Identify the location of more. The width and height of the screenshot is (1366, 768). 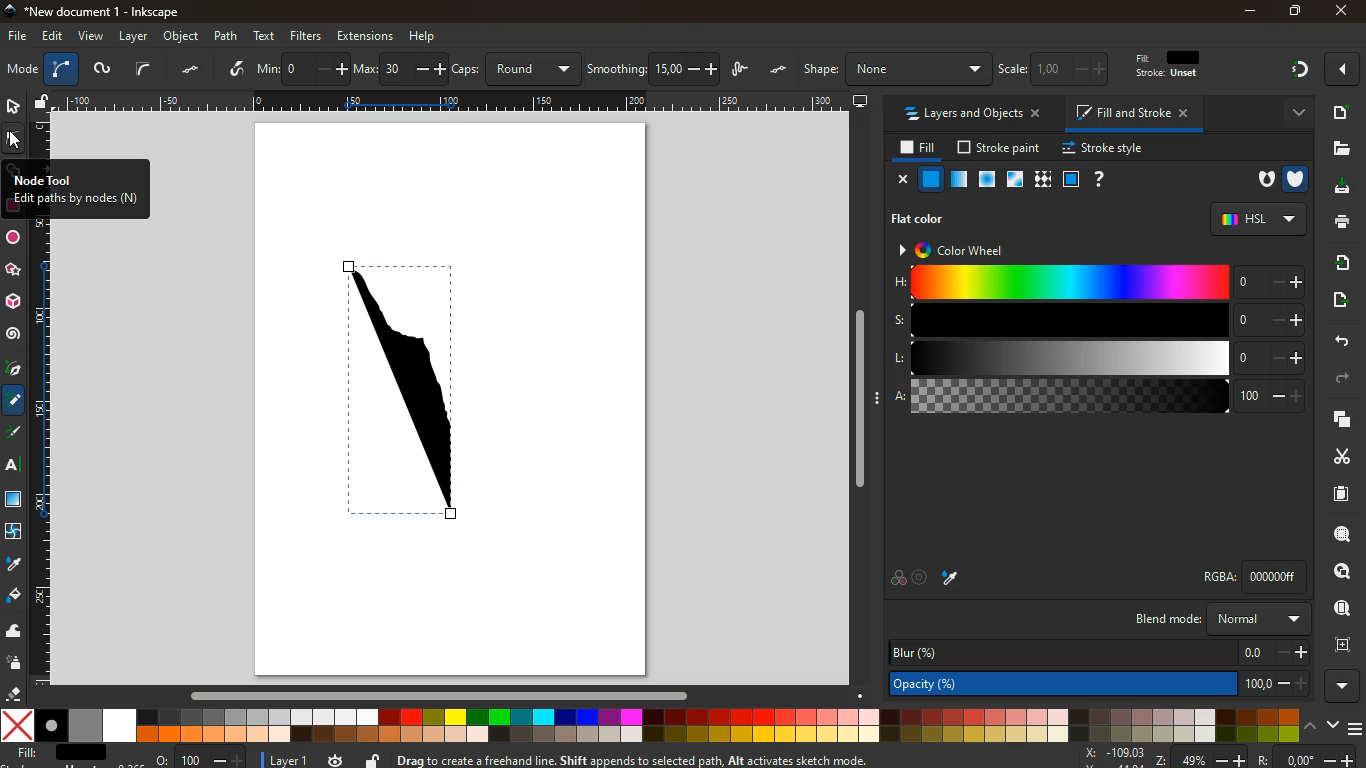
(1346, 686).